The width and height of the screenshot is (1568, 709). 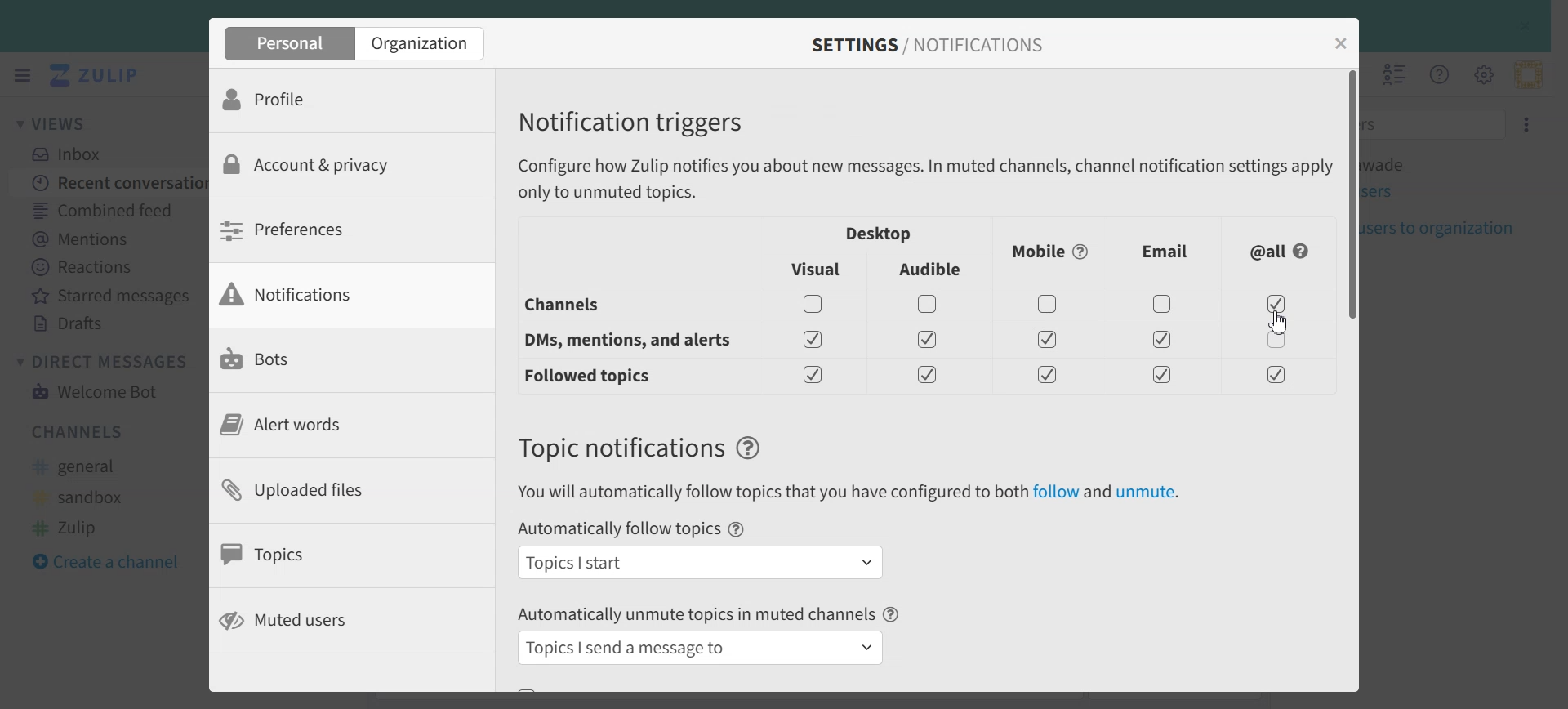 What do you see at coordinates (330, 230) in the screenshot?
I see `Preferences` at bounding box center [330, 230].